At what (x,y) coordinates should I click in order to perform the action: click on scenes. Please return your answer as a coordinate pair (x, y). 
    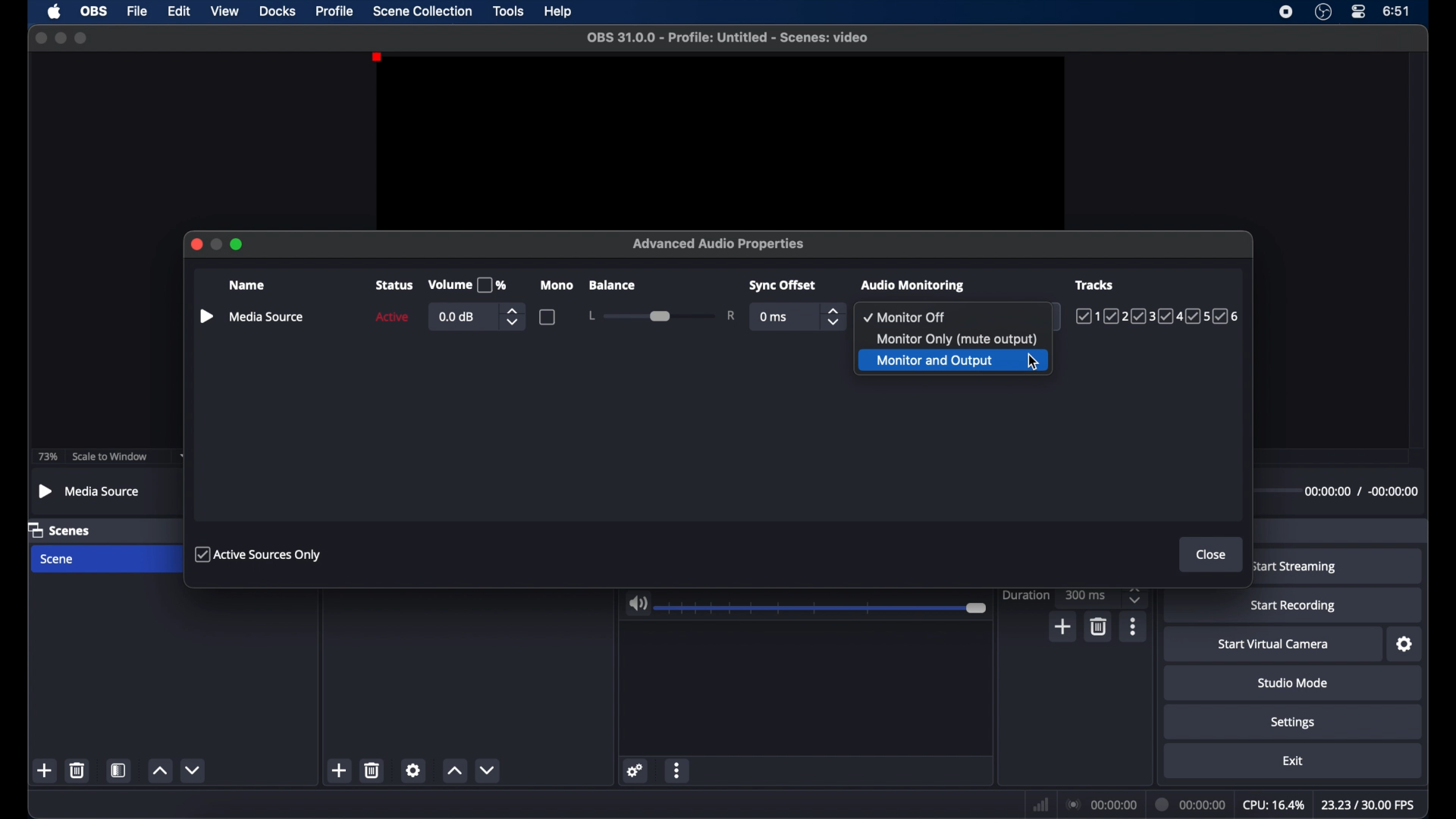
    Looking at the image, I should click on (60, 529).